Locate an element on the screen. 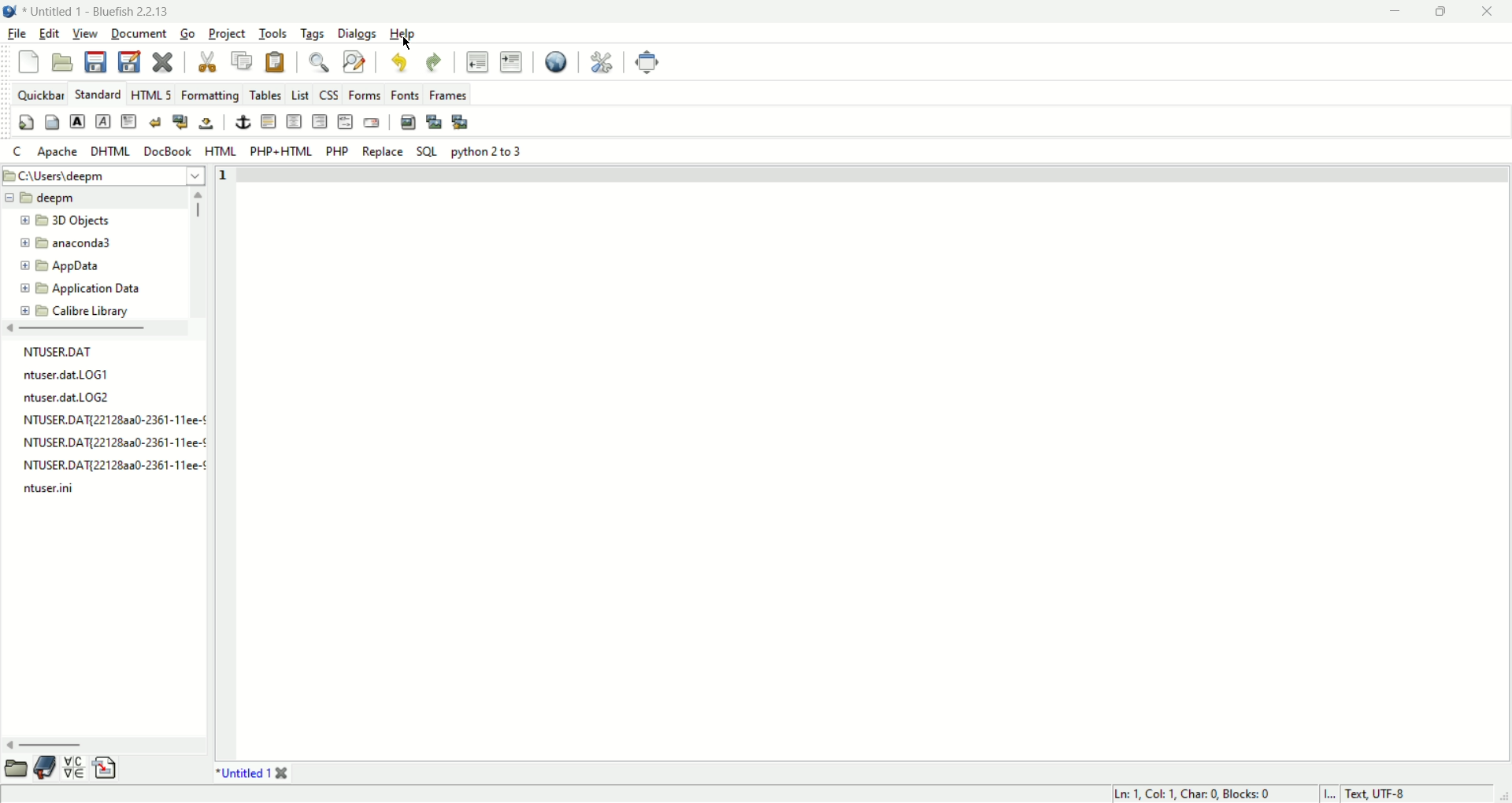 This screenshot has height=803, width=1512. tags is located at coordinates (313, 35).